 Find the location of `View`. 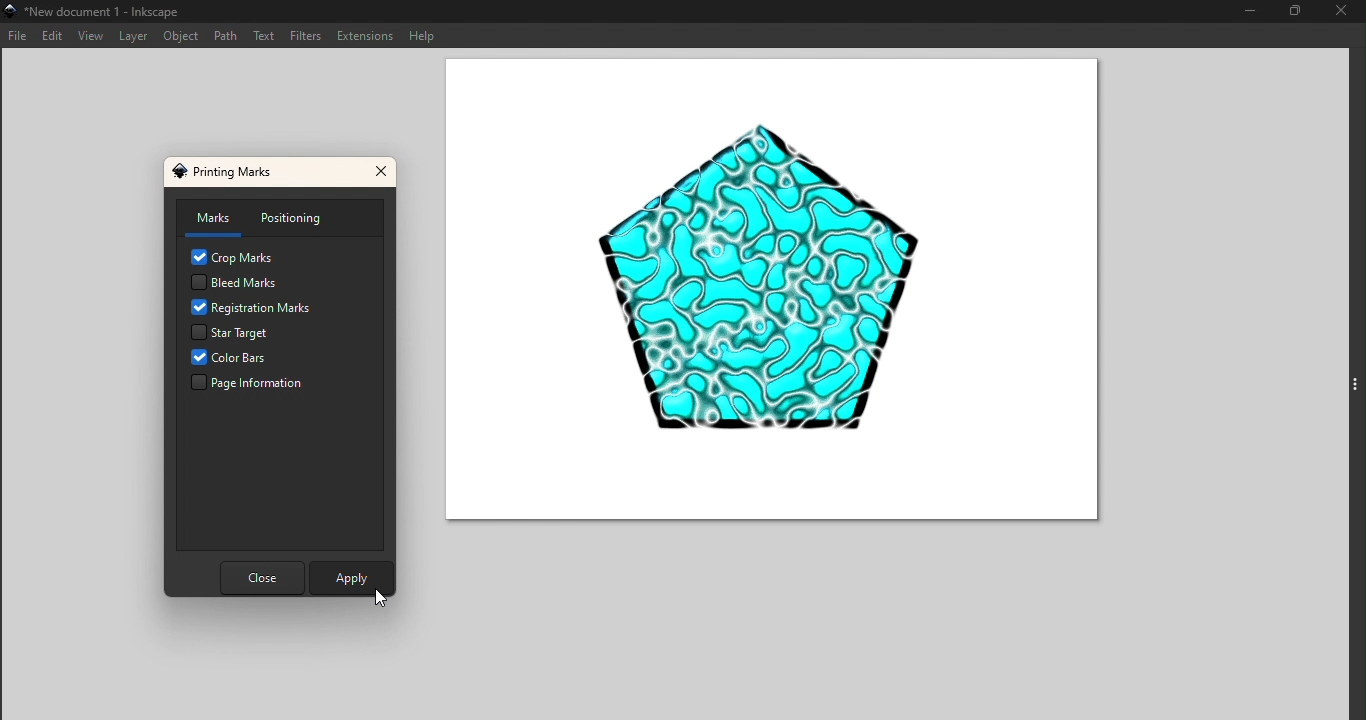

View is located at coordinates (91, 36).